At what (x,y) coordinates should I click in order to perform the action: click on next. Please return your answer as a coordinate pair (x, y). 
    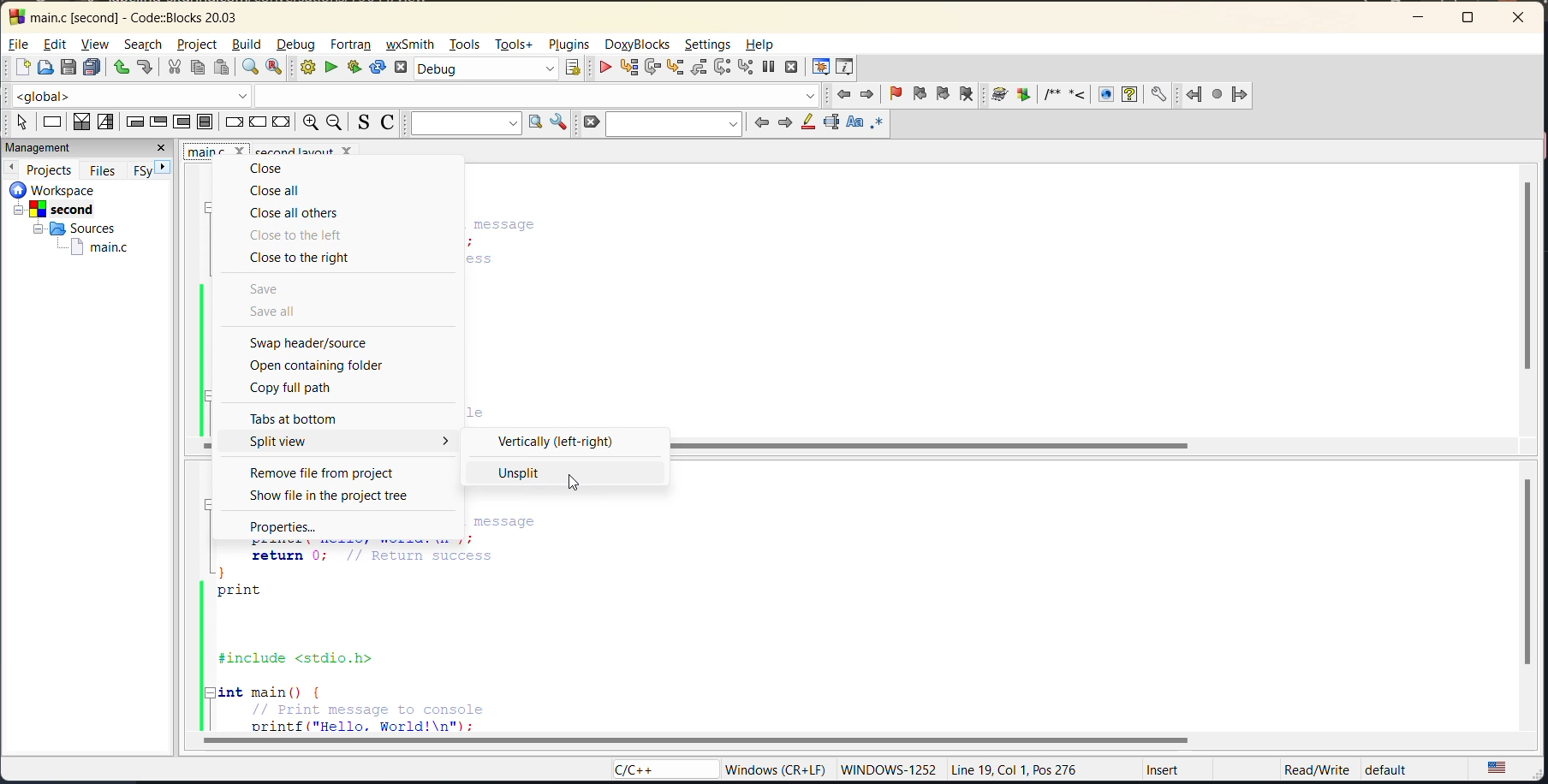
    Looking at the image, I should click on (163, 166).